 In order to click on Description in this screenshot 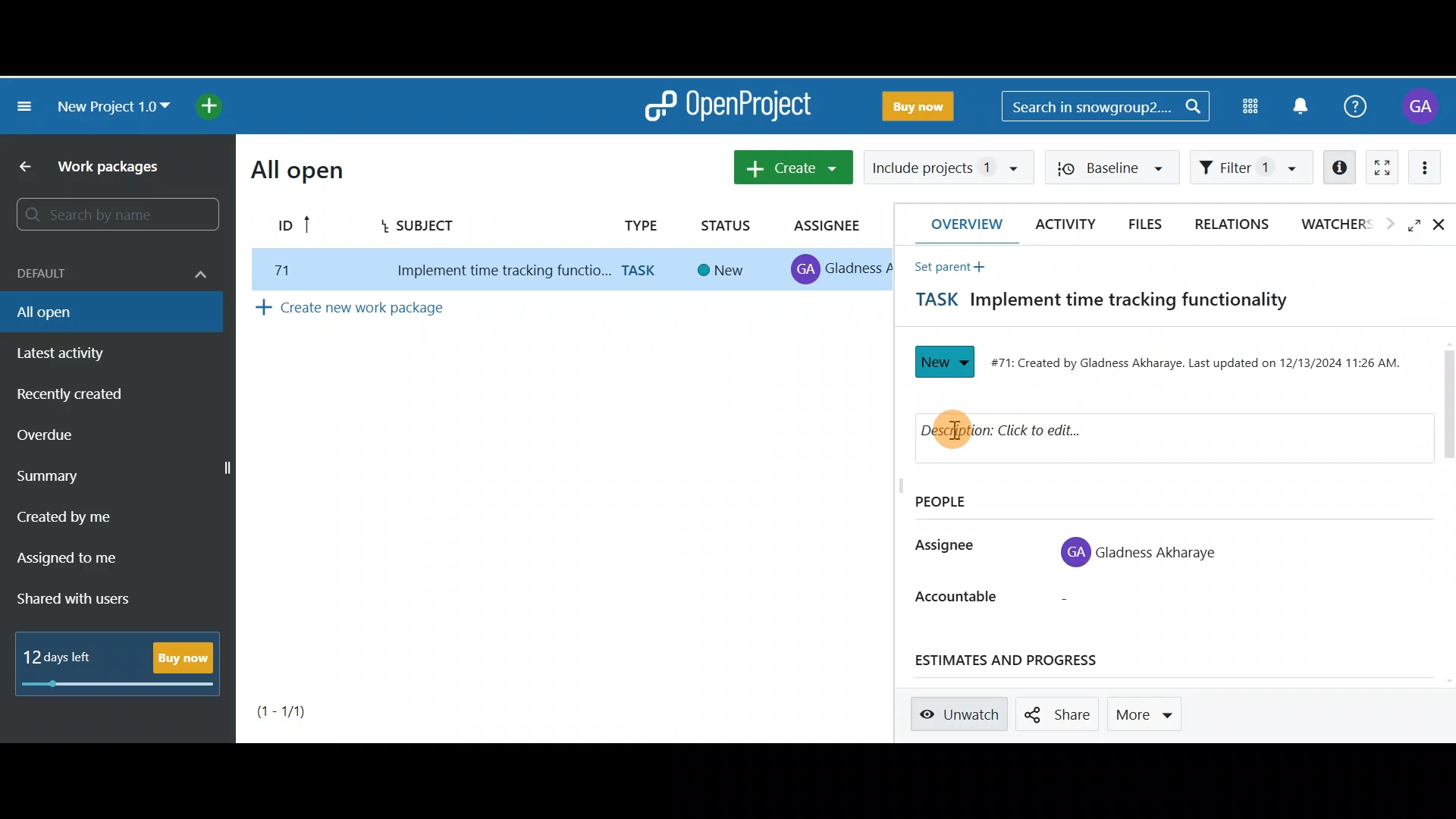, I will do `click(1060, 434)`.